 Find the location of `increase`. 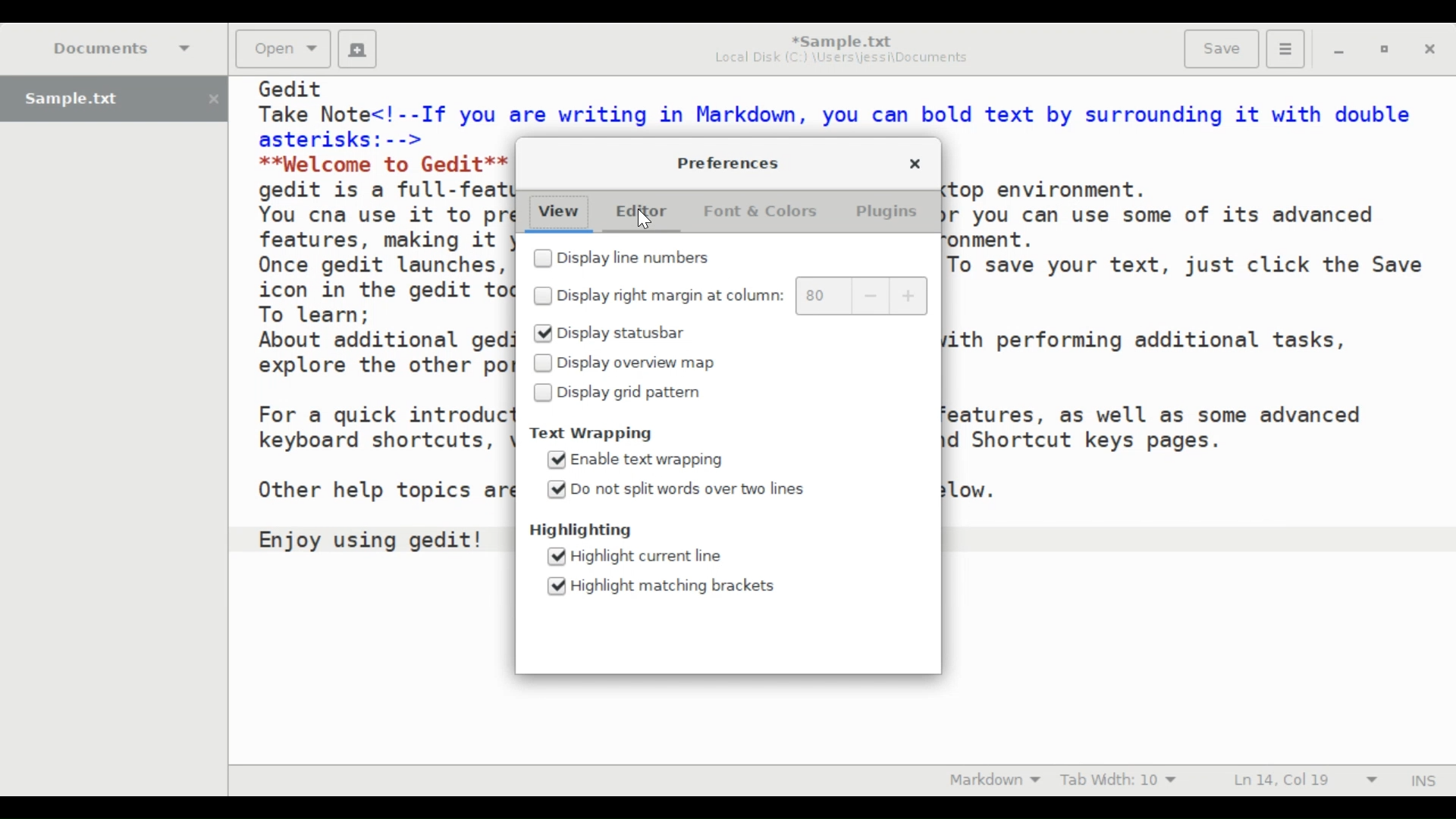

increase is located at coordinates (909, 296).